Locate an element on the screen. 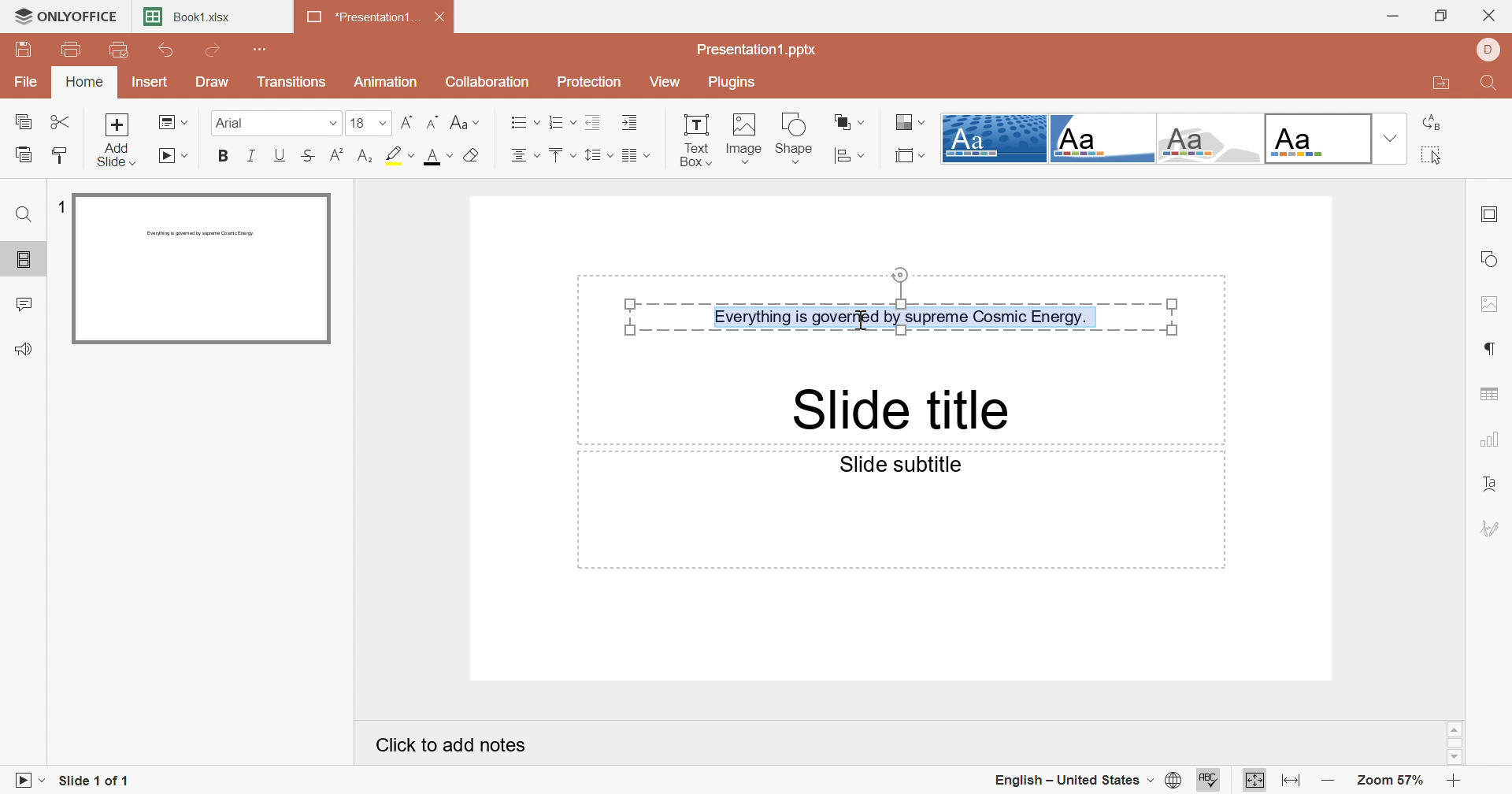  Customize Quick Access Toolbar is located at coordinates (267, 50).